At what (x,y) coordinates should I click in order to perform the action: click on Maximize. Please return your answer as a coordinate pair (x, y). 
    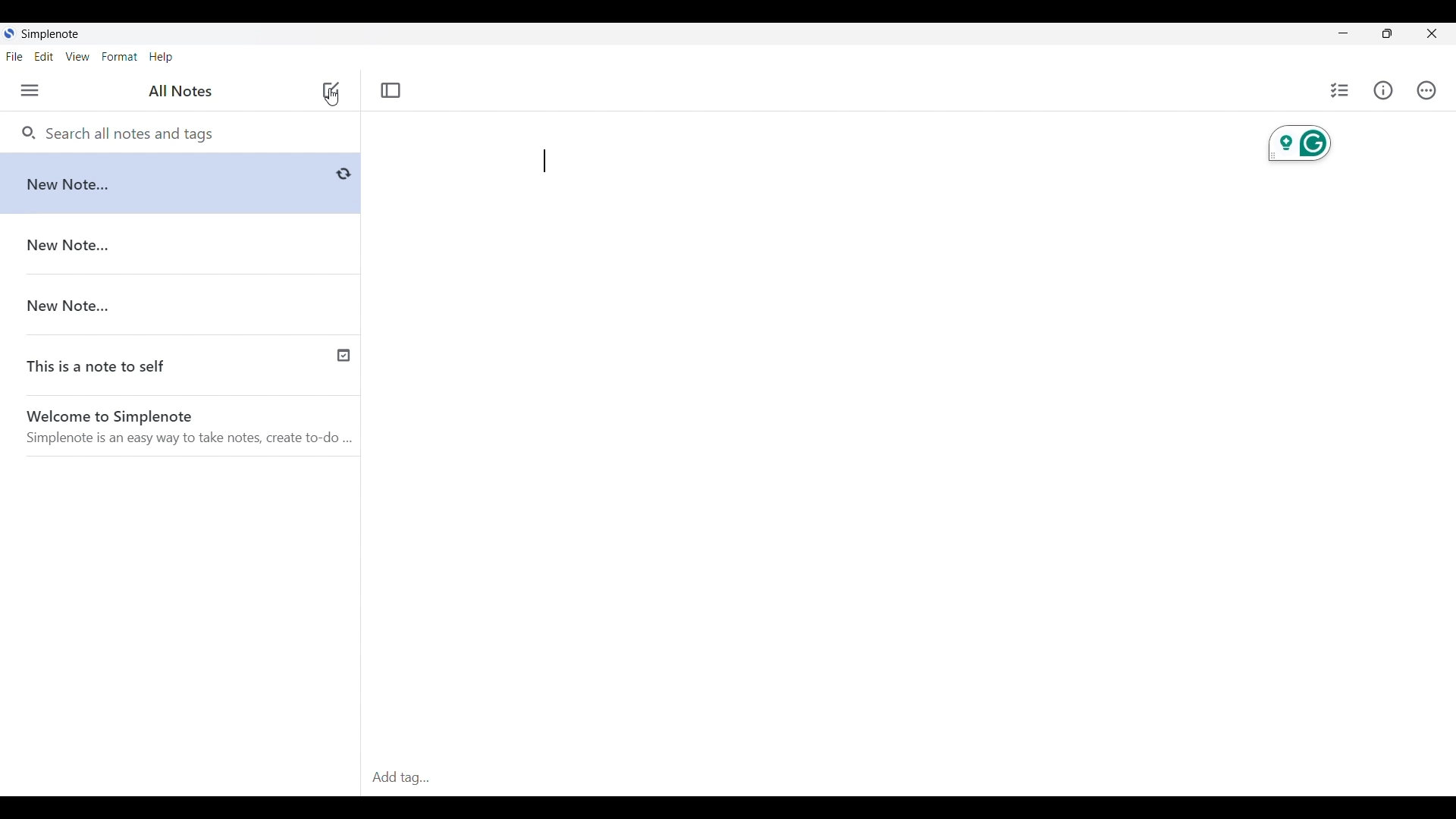
    Looking at the image, I should click on (1387, 33).